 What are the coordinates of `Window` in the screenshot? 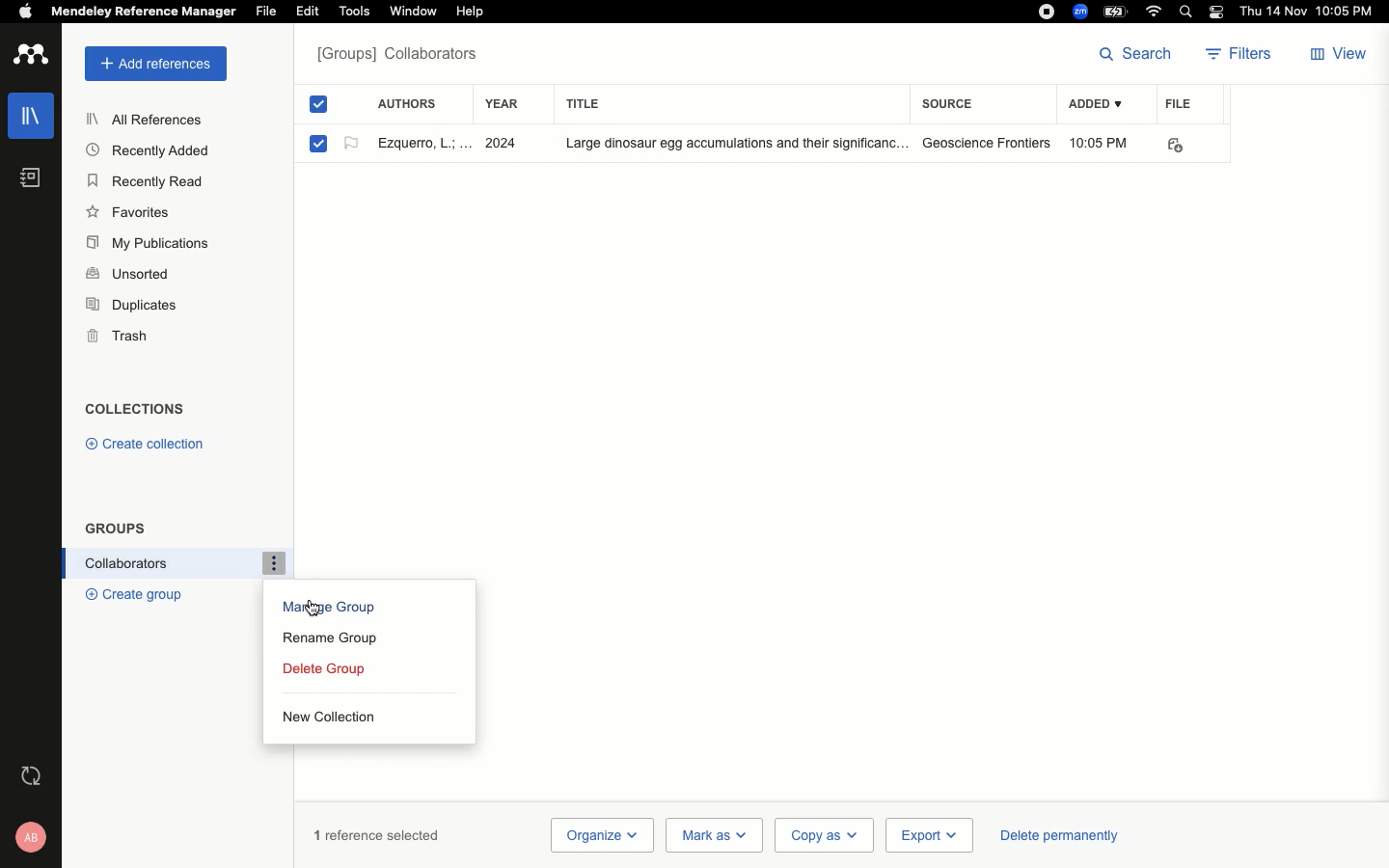 It's located at (412, 12).